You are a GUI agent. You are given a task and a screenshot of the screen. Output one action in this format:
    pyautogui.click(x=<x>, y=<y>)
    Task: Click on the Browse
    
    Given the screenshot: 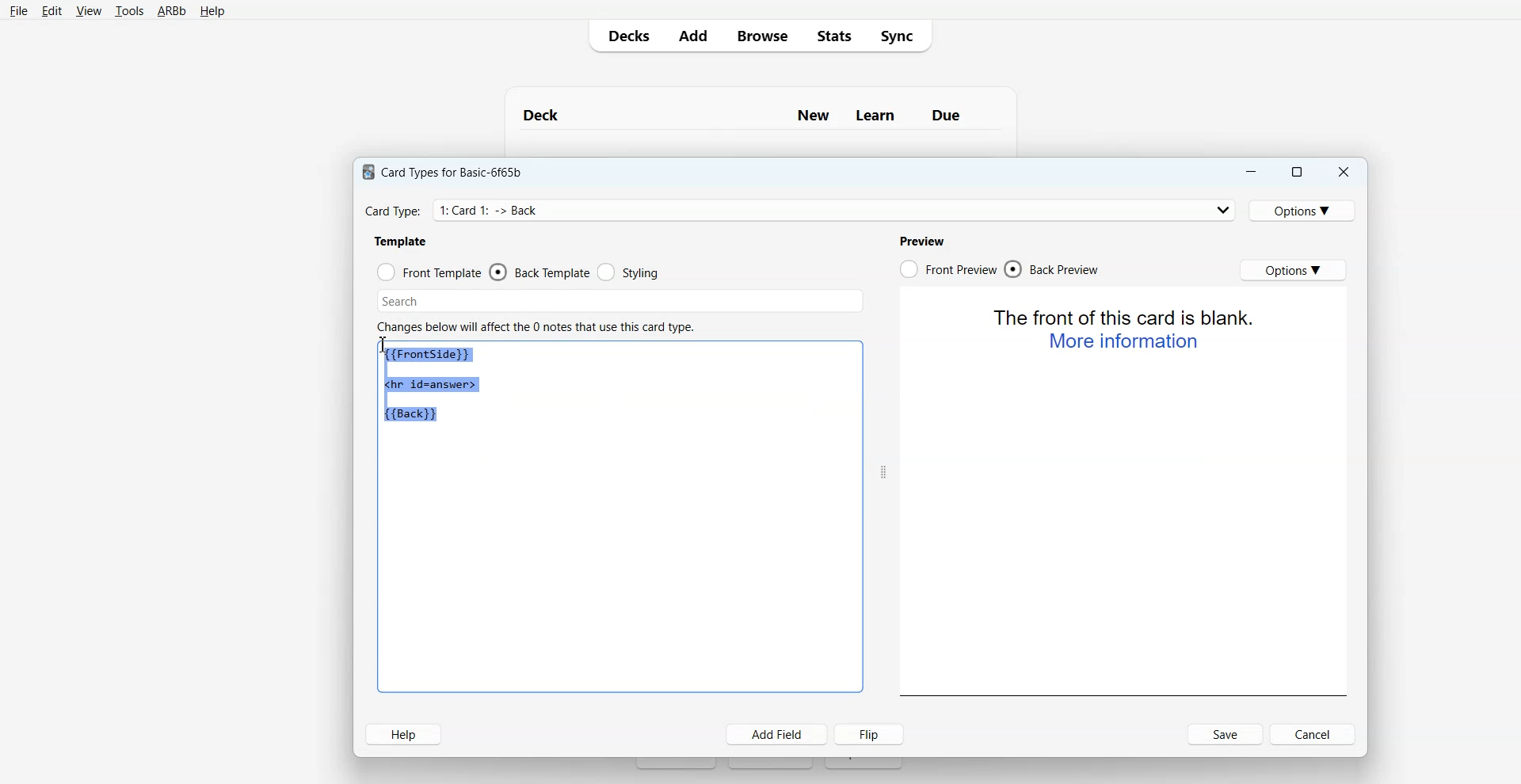 What is the action you would take?
    pyautogui.click(x=760, y=36)
    